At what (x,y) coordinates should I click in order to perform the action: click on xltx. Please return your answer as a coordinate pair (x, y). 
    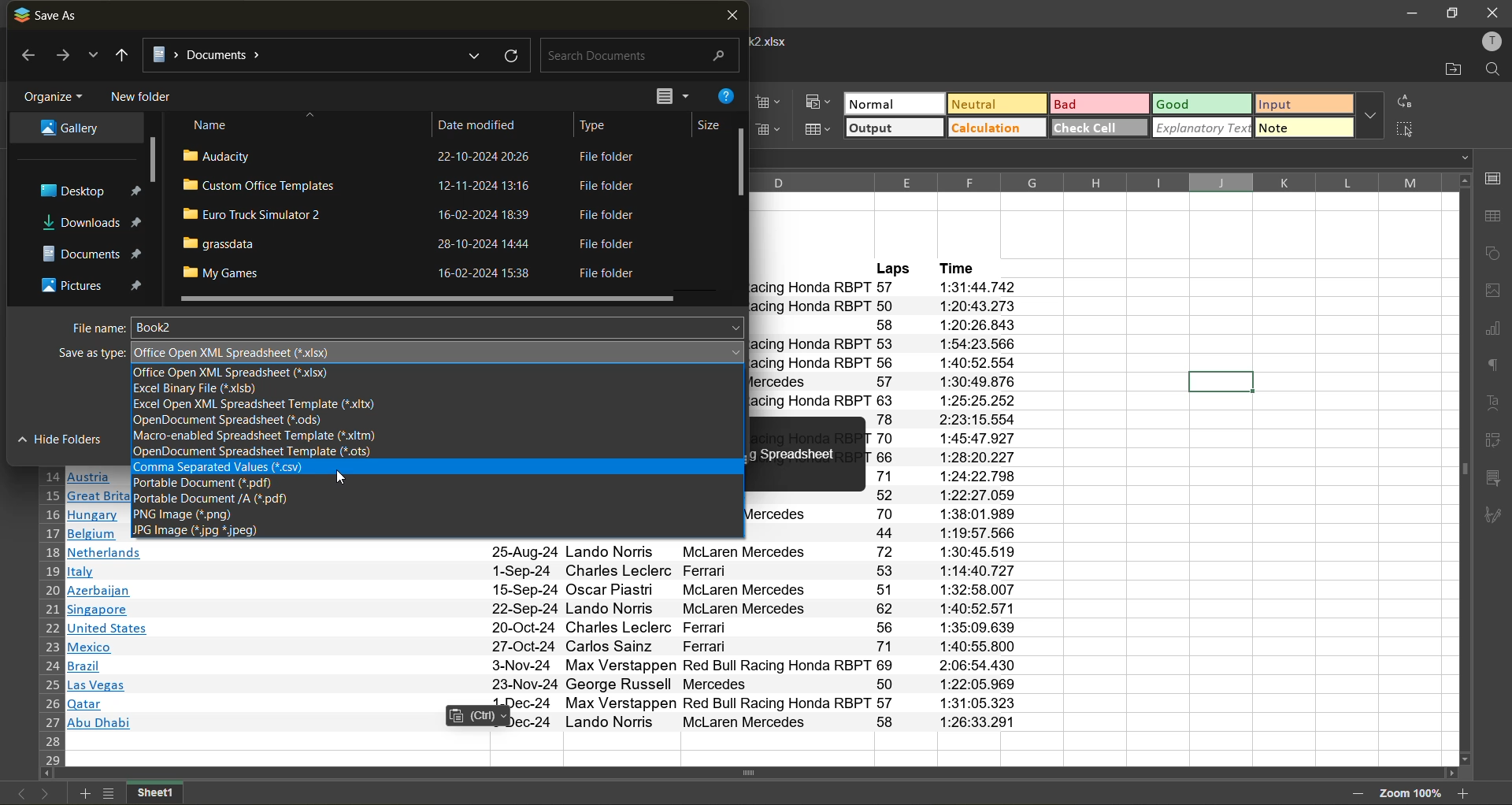
    Looking at the image, I should click on (250, 405).